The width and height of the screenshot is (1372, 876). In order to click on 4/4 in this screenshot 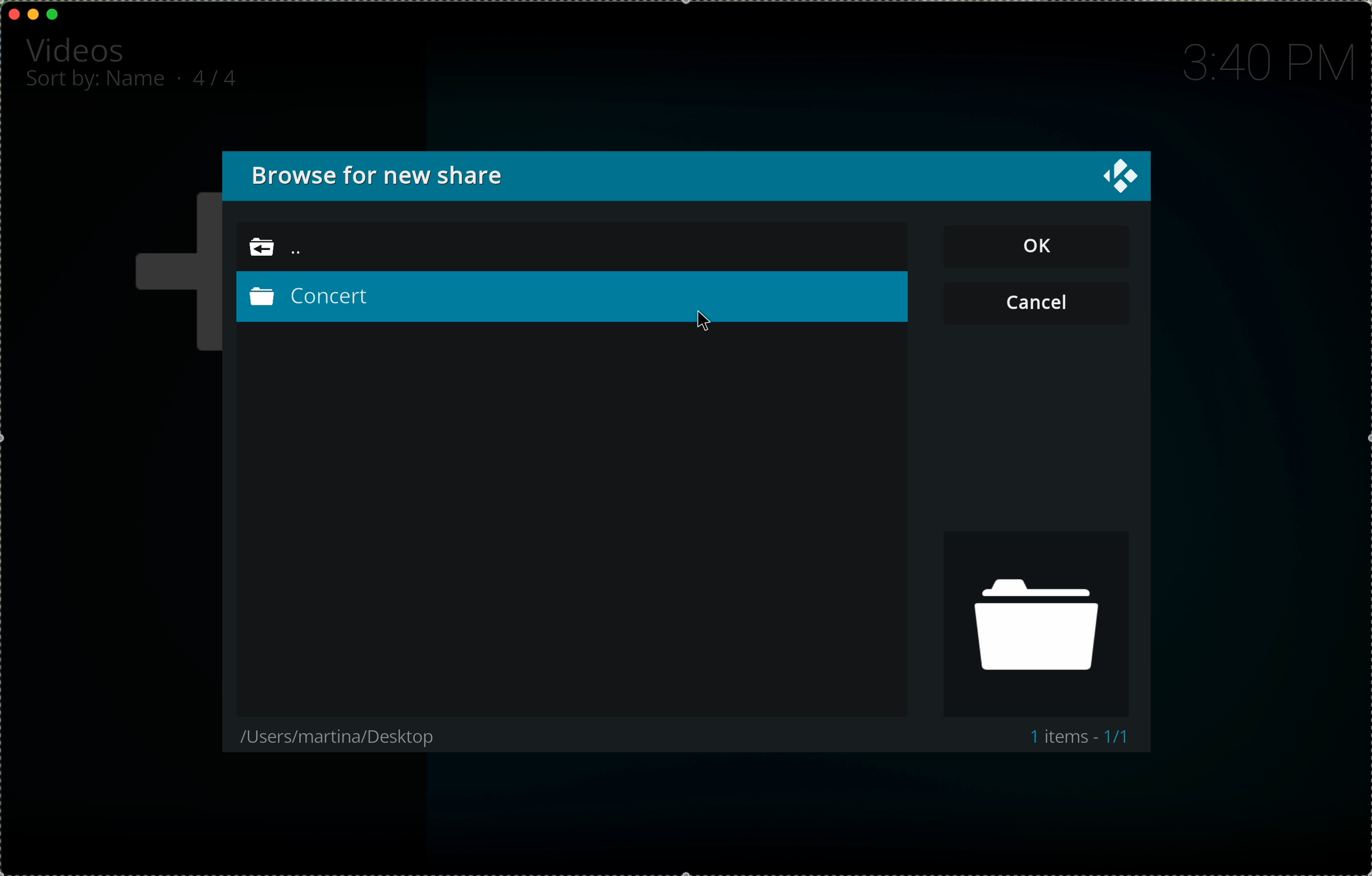, I will do `click(220, 76)`.